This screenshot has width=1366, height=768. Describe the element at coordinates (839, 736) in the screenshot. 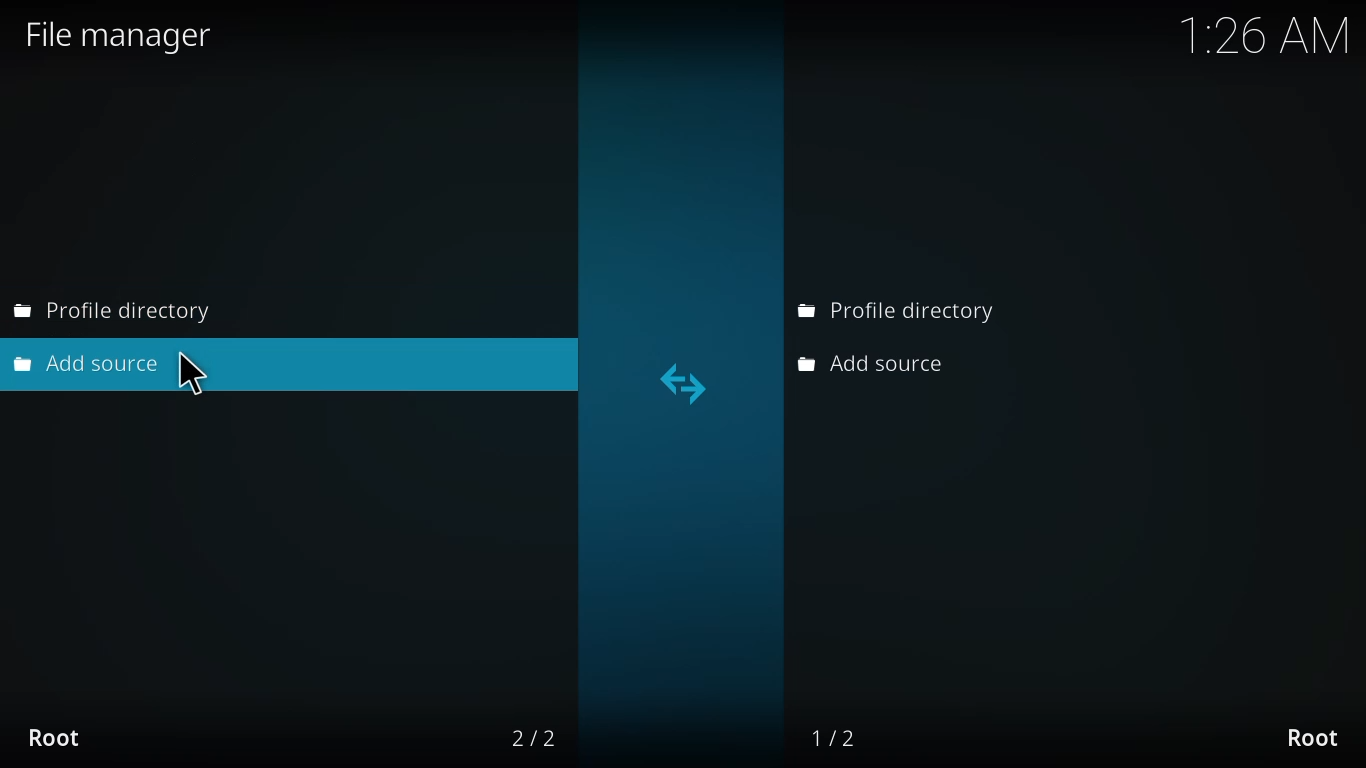

I see `1/2` at that location.